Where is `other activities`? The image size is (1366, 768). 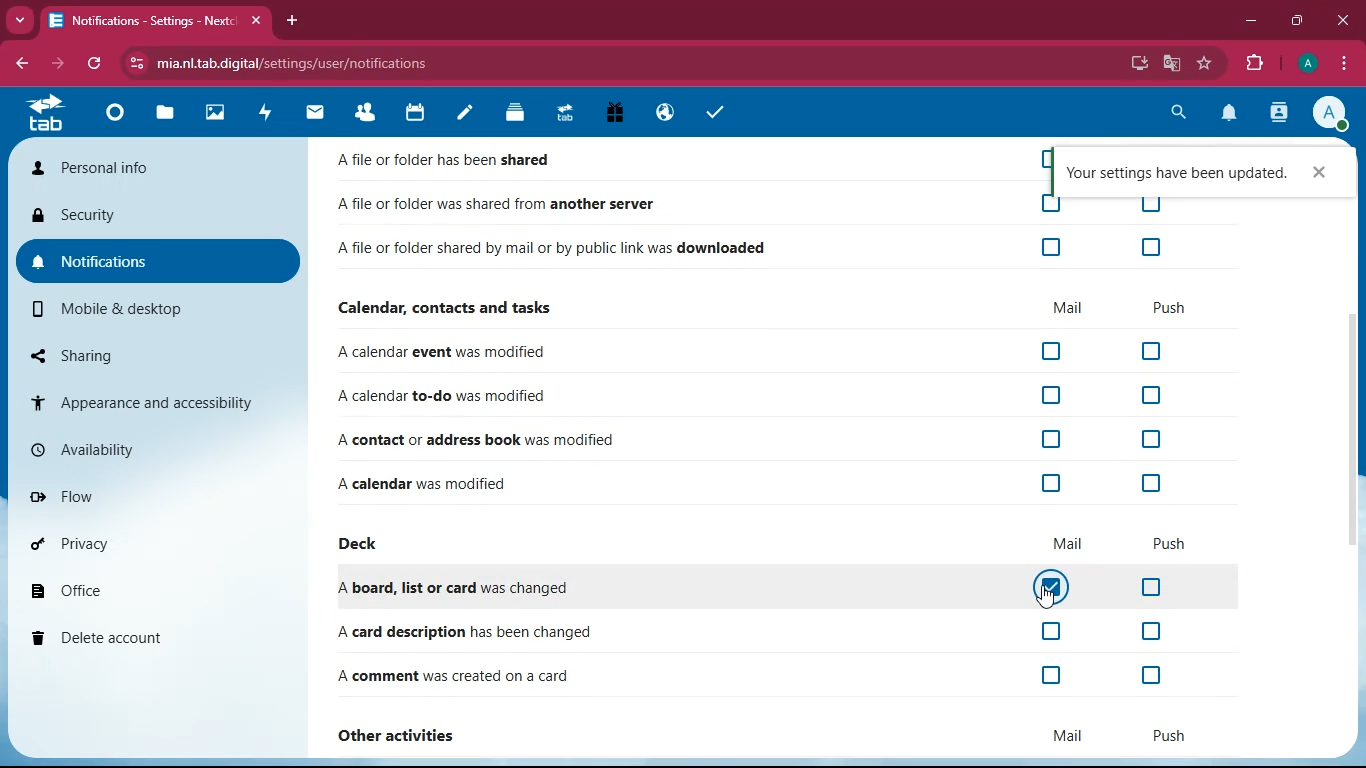
other activities is located at coordinates (406, 732).